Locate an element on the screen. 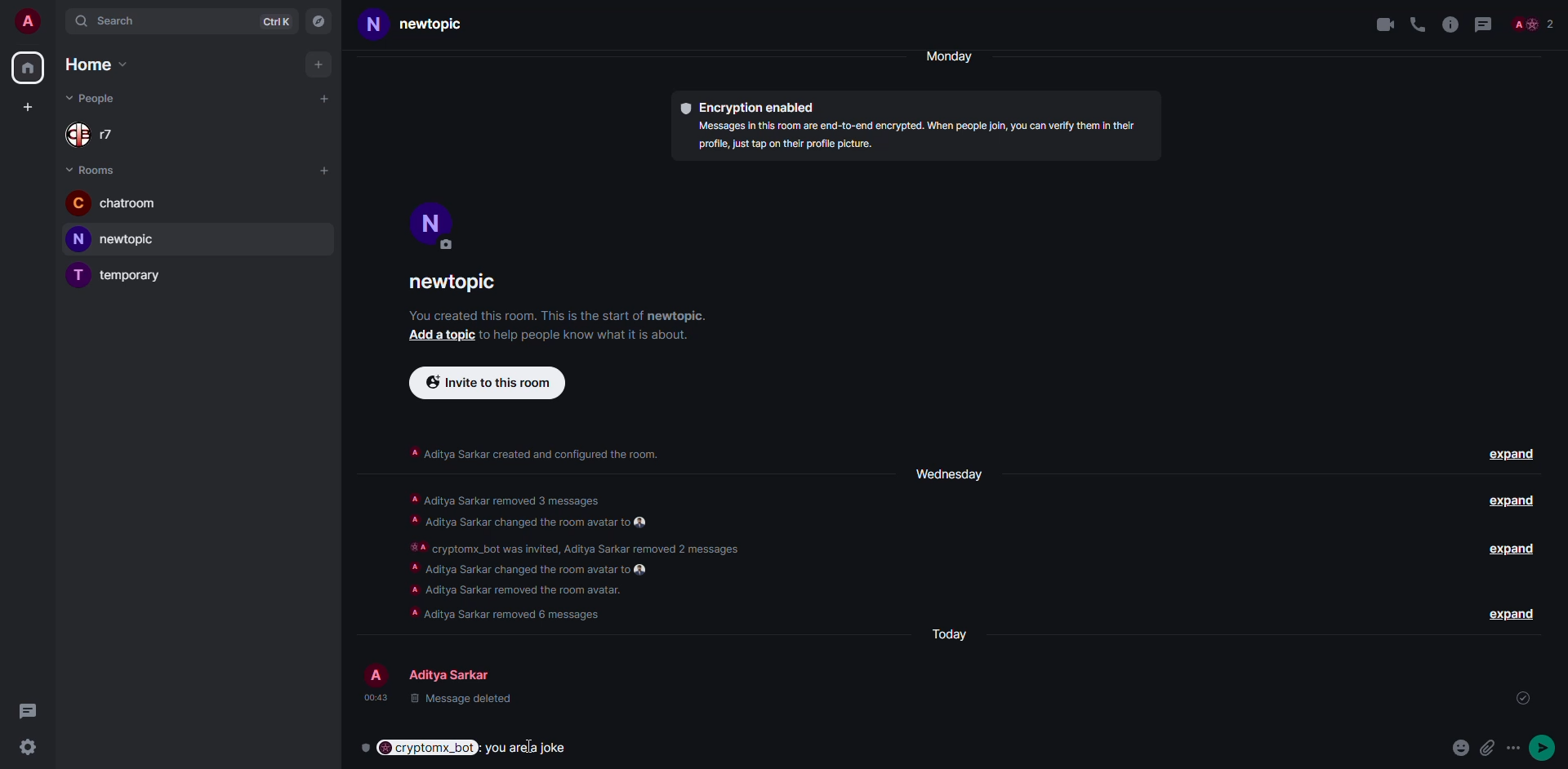 Image resolution: width=1568 pixels, height=769 pixels. id is located at coordinates (1343, 701).